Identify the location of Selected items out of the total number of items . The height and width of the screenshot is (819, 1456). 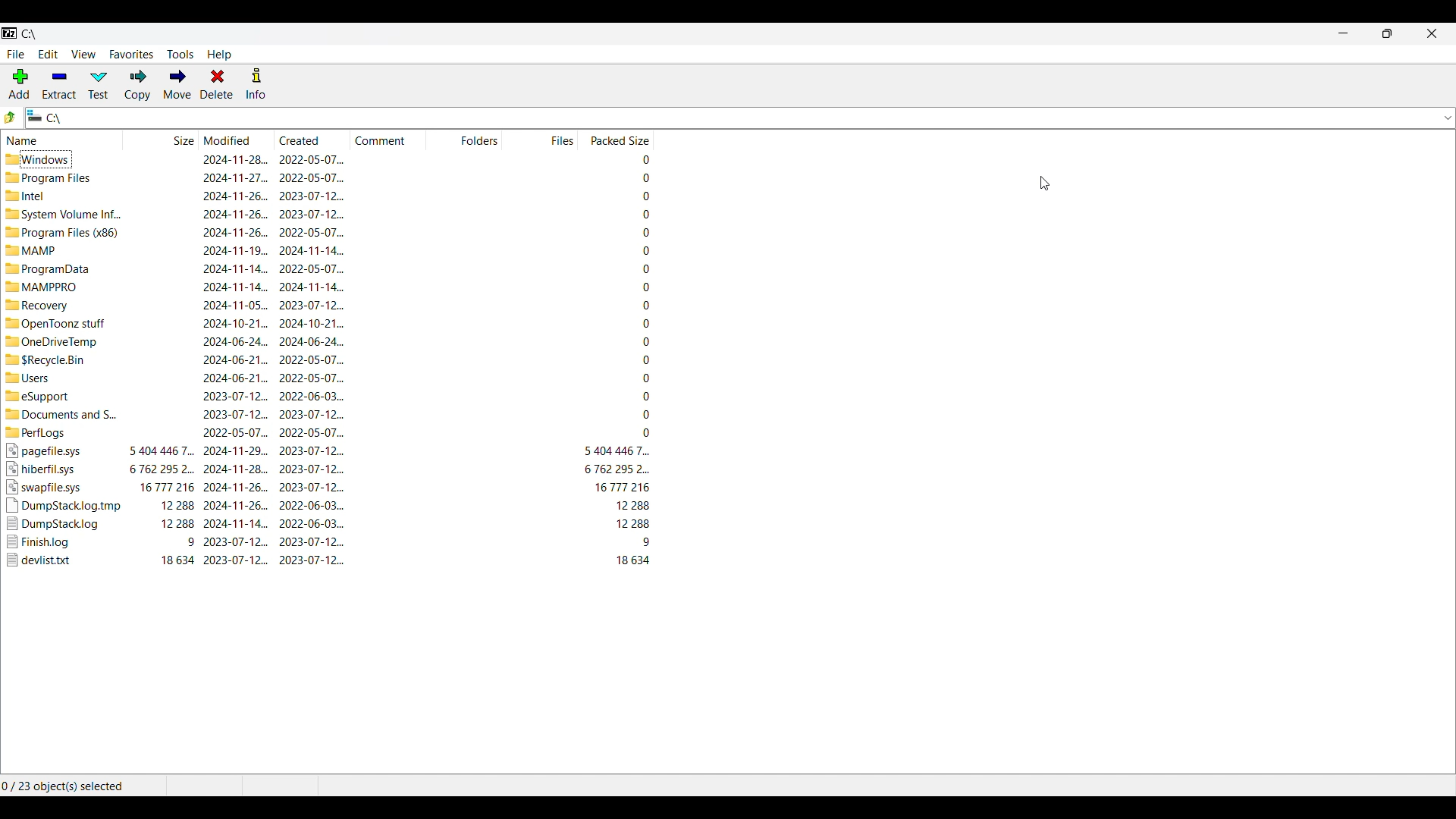
(63, 785).